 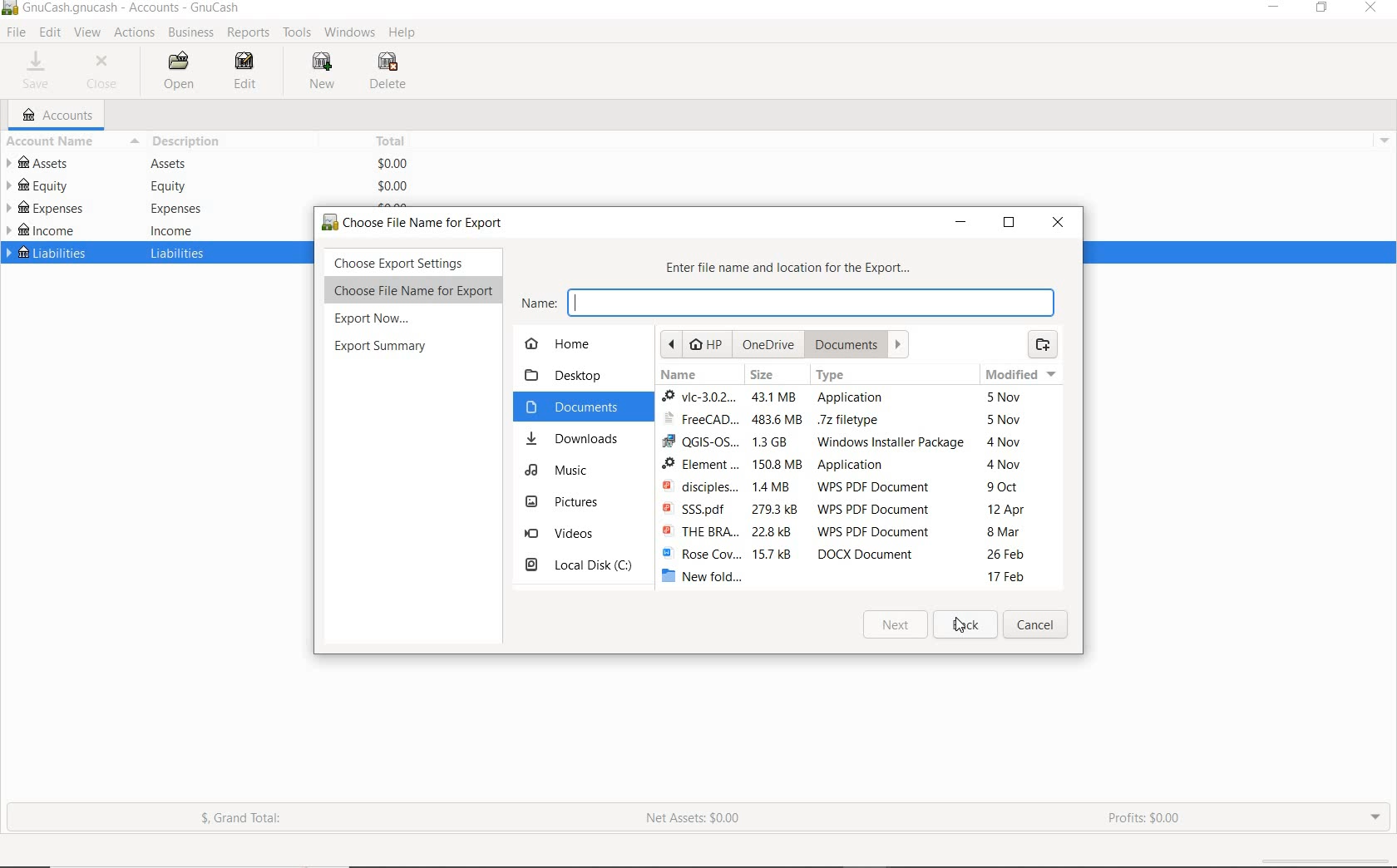 I want to click on restore, so click(x=1011, y=221).